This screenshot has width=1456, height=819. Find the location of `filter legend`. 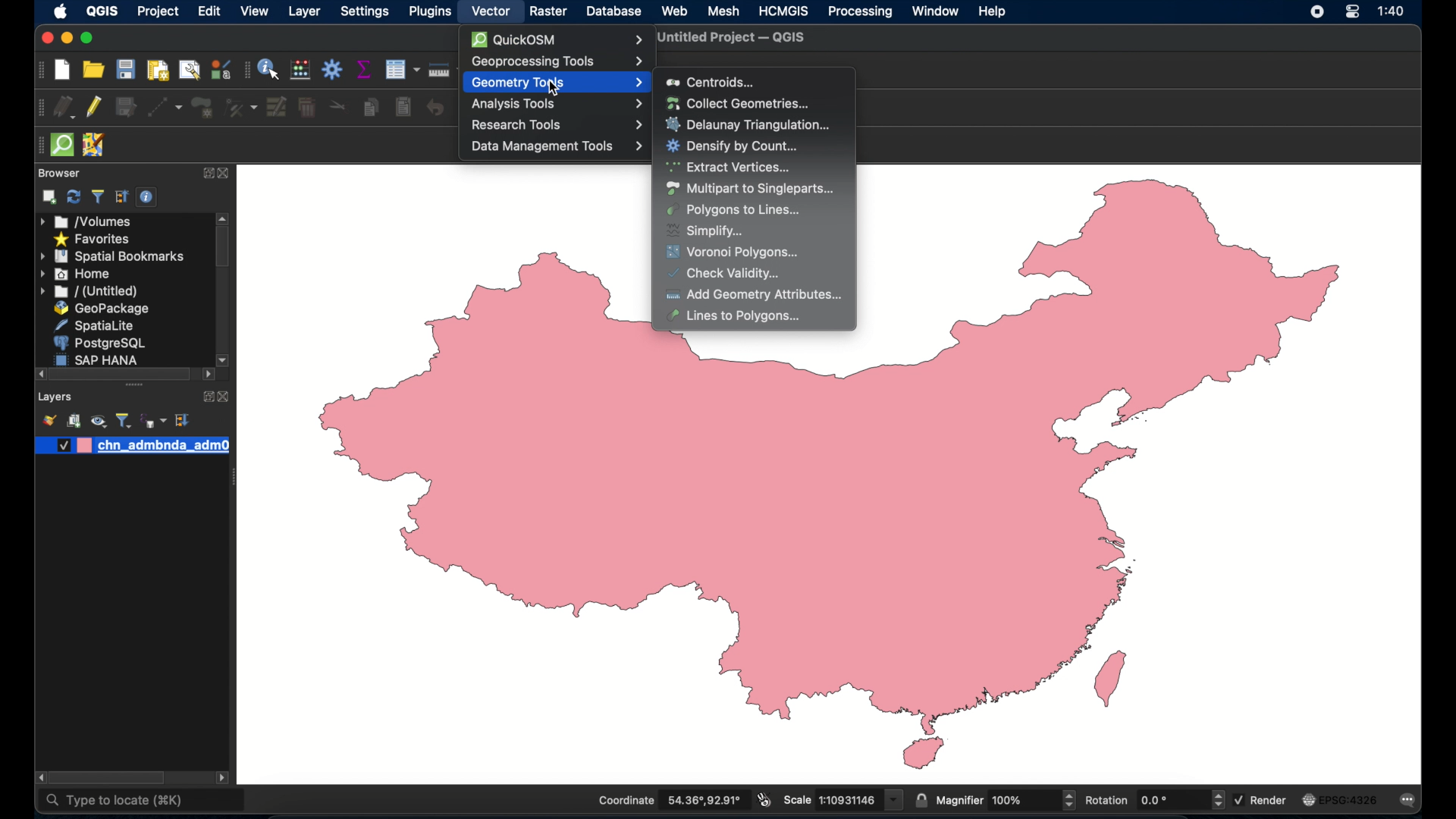

filter legend is located at coordinates (124, 420).